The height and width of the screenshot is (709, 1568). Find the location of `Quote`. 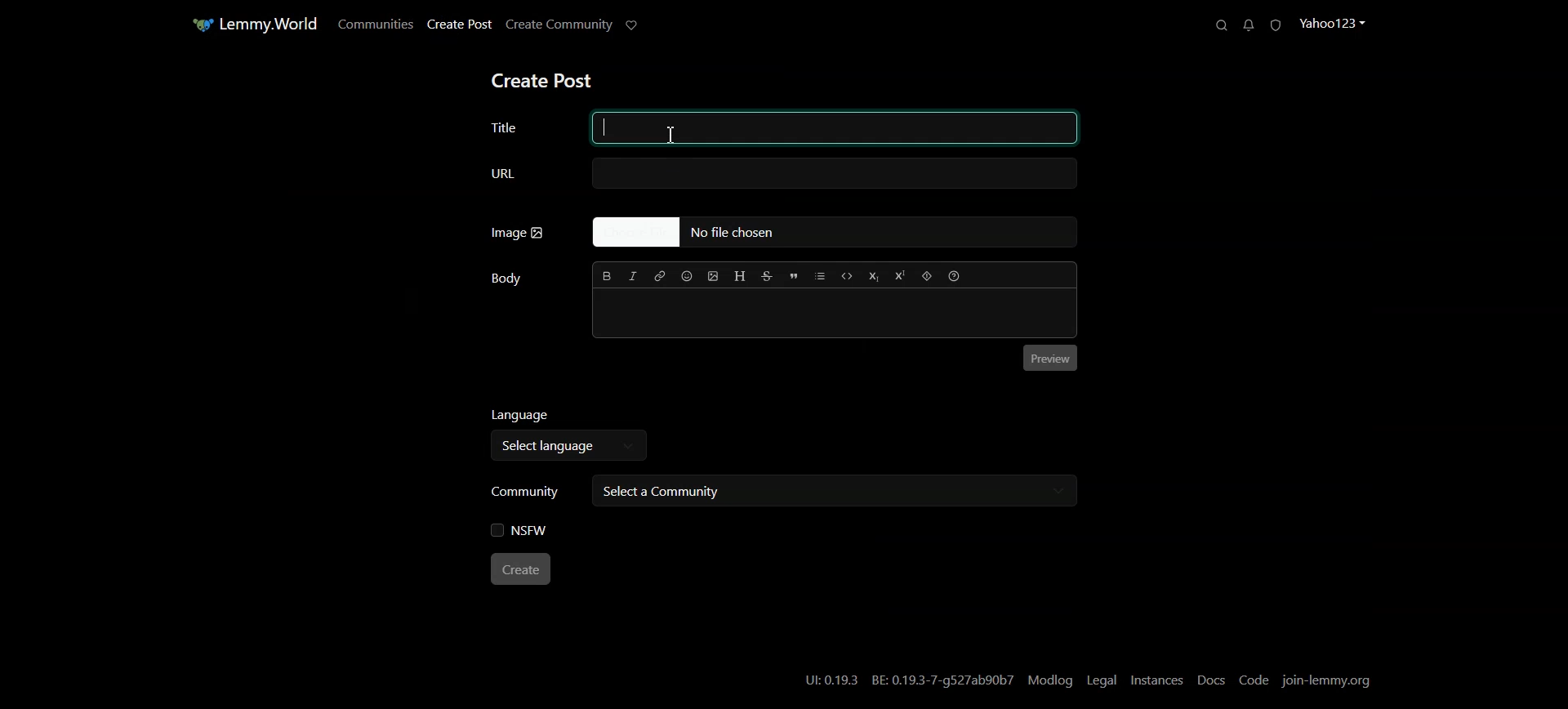

Quote is located at coordinates (794, 277).